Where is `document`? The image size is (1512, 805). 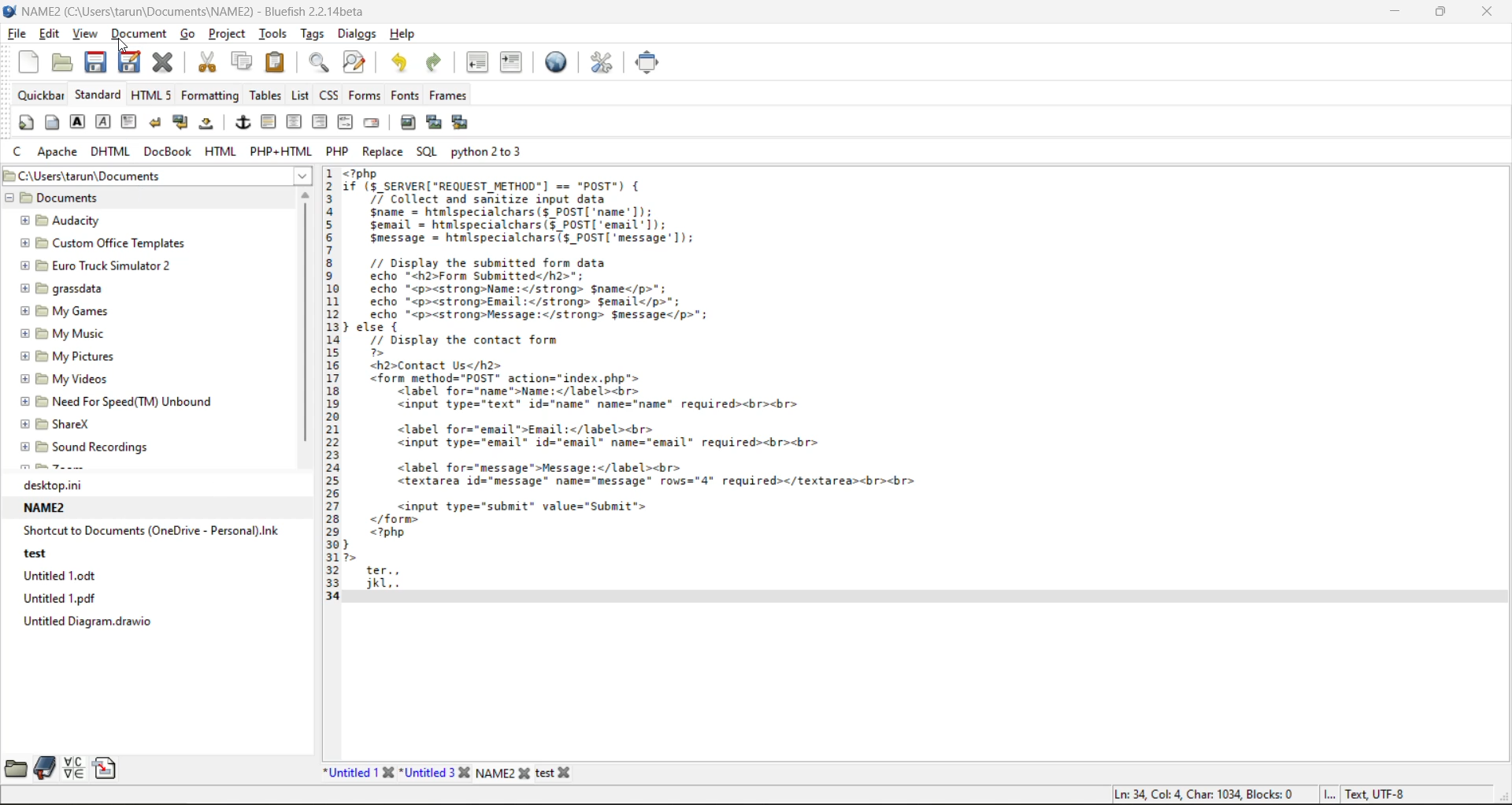 document is located at coordinates (141, 35).